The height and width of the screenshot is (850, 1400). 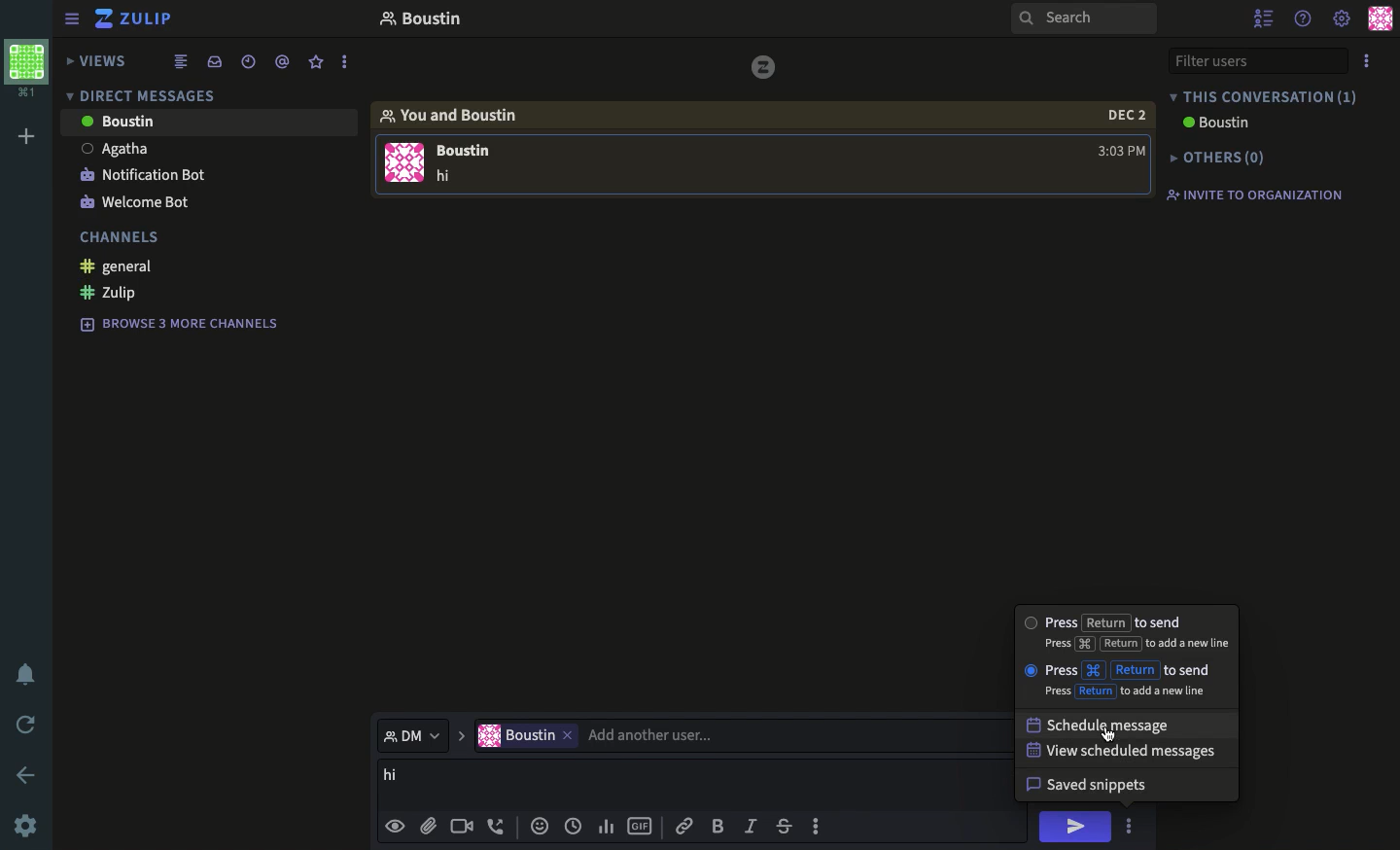 I want to click on settings, so click(x=1342, y=19).